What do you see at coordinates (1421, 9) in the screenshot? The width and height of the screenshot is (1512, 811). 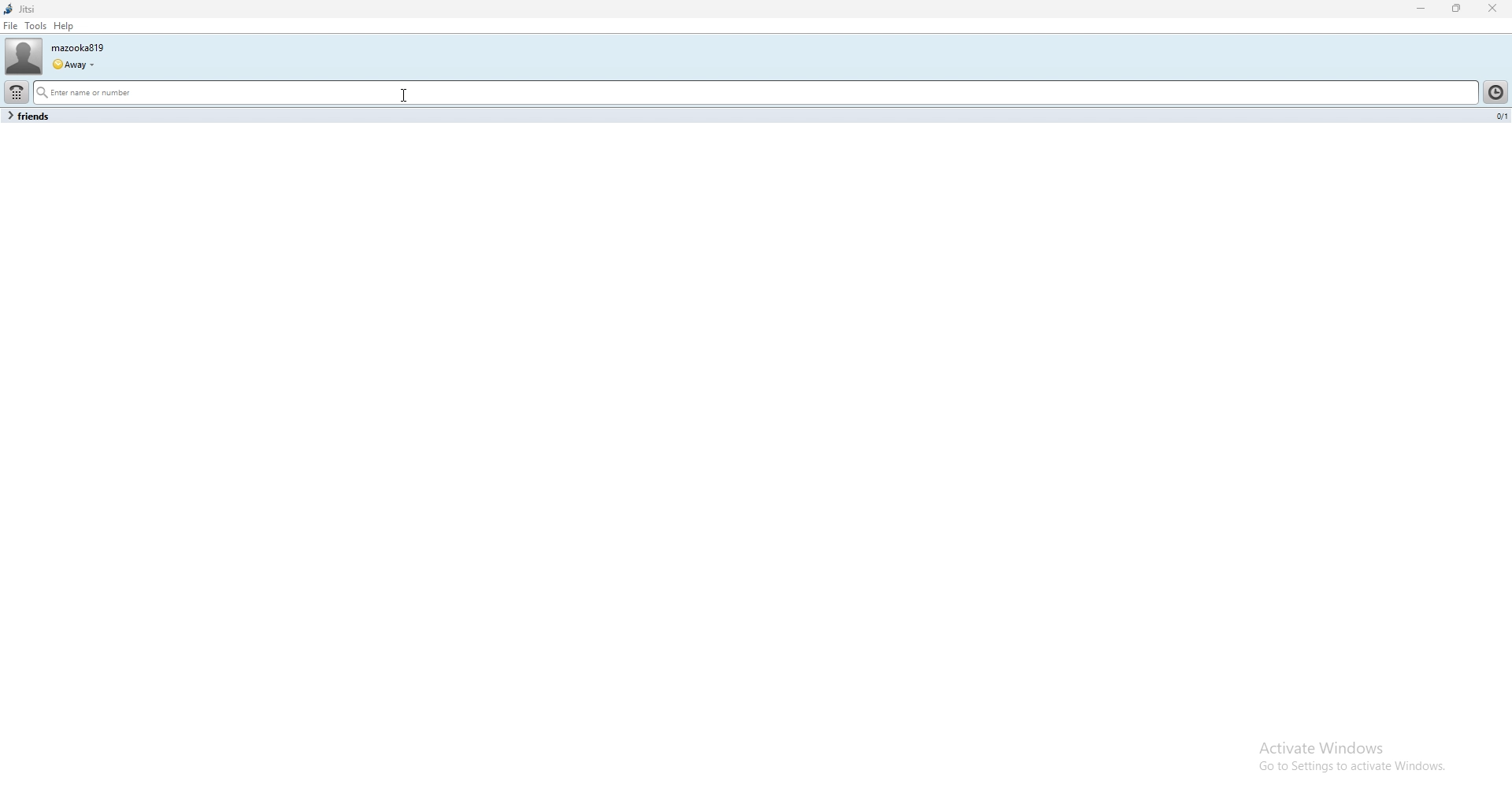 I see `minimize` at bounding box center [1421, 9].